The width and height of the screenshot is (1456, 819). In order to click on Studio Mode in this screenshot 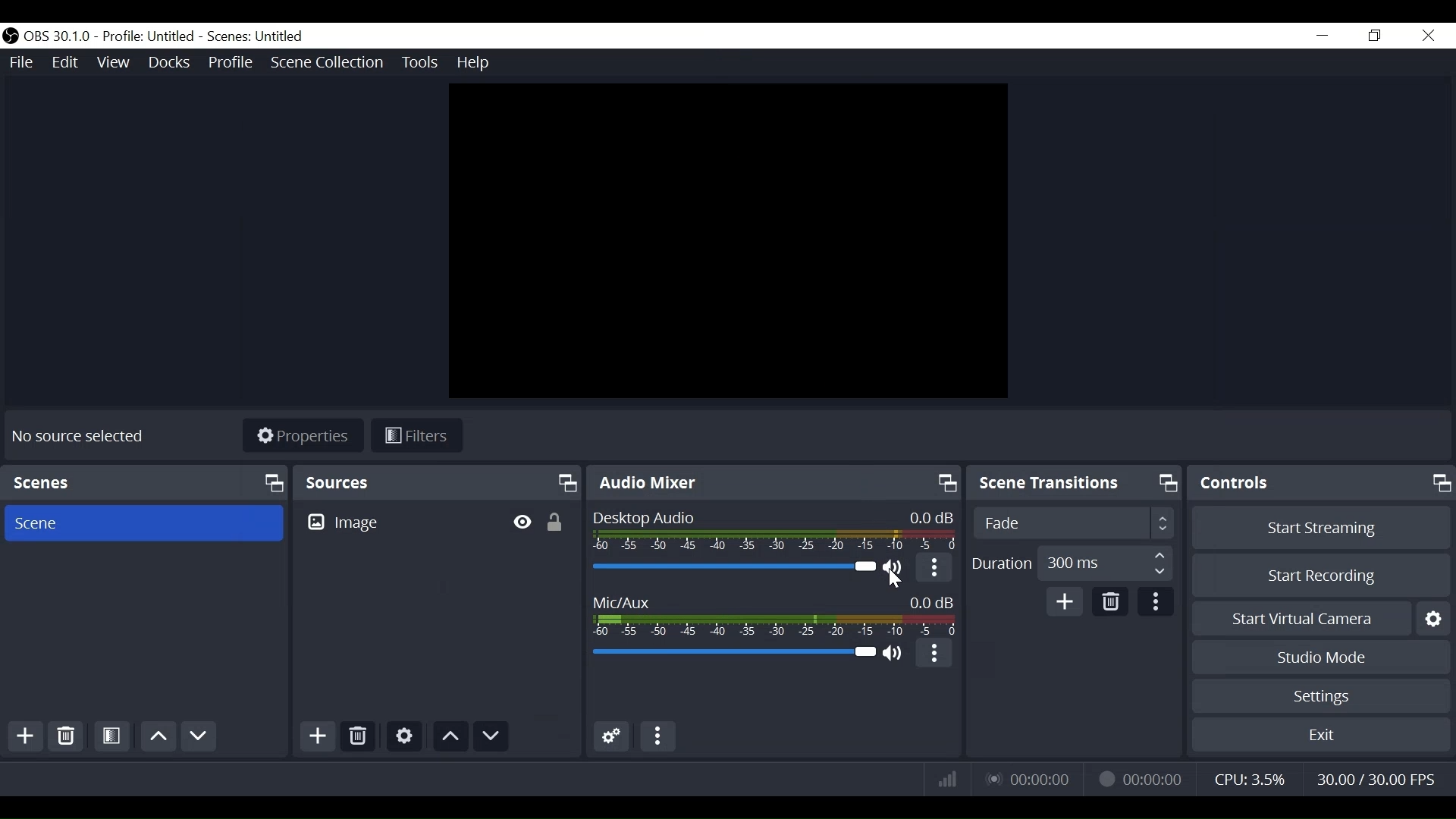, I will do `click(1320, 657)`.